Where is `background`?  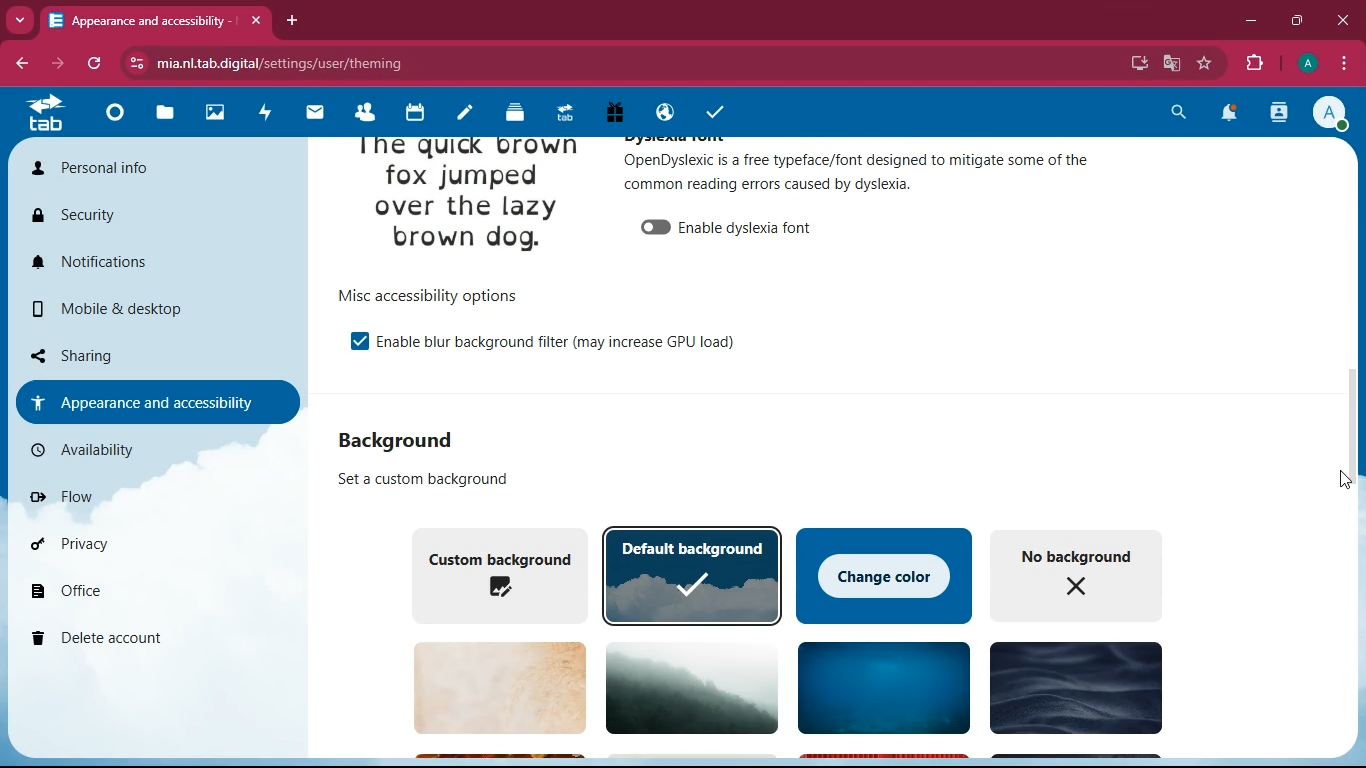
background is located at coordinates (879, 690).